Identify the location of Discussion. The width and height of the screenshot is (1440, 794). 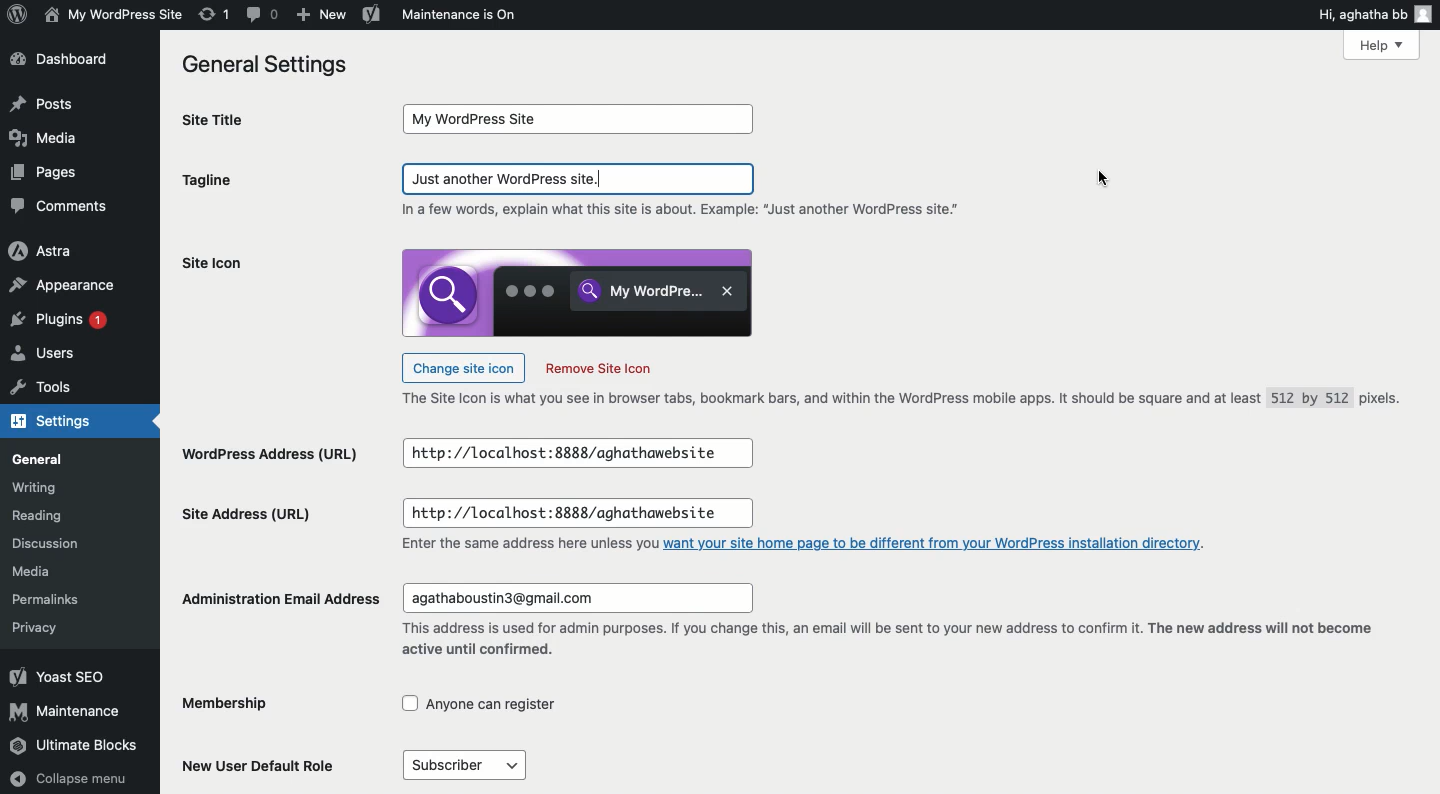
(53, 546).